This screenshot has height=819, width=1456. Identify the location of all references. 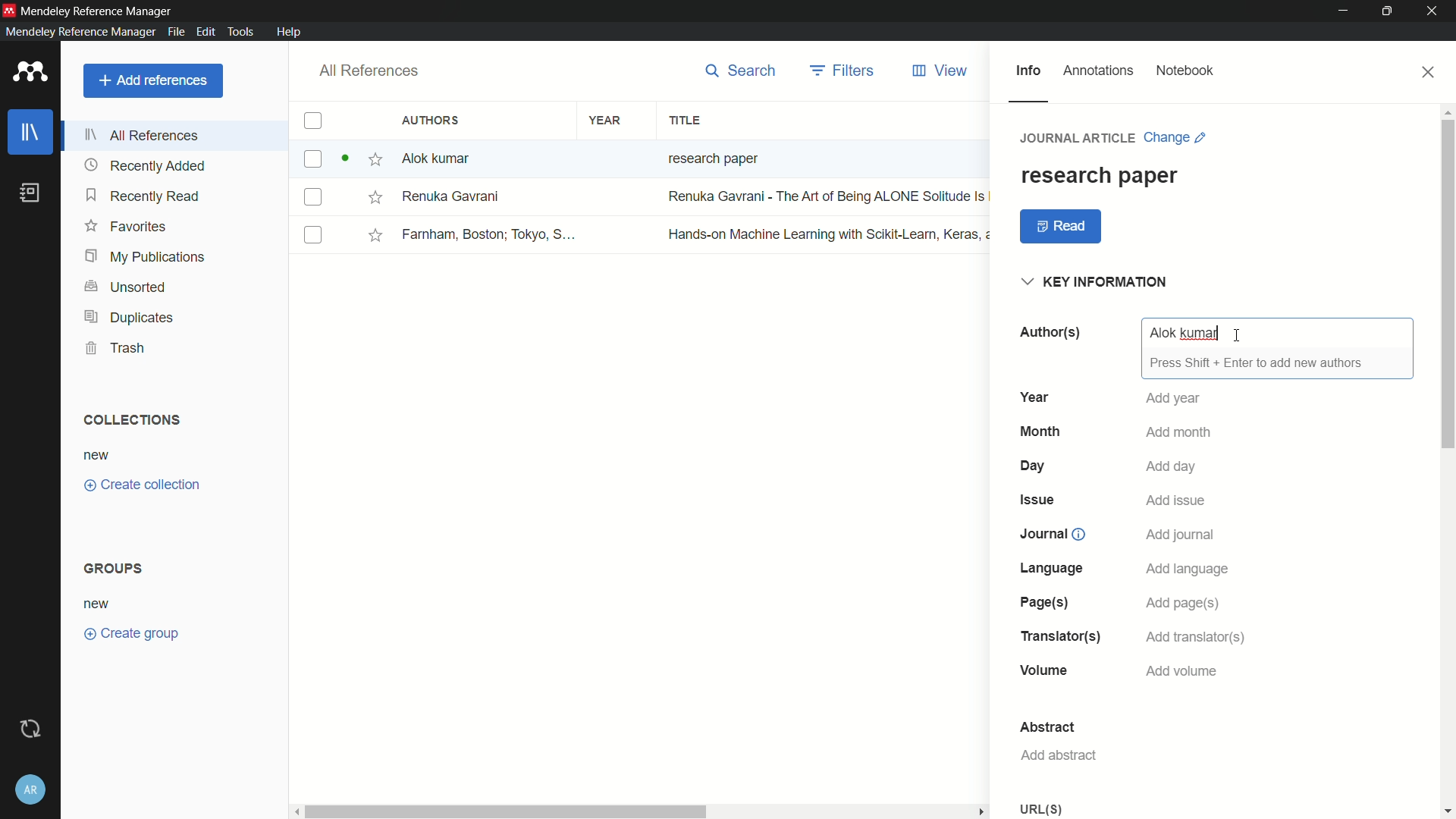
(366, 71).